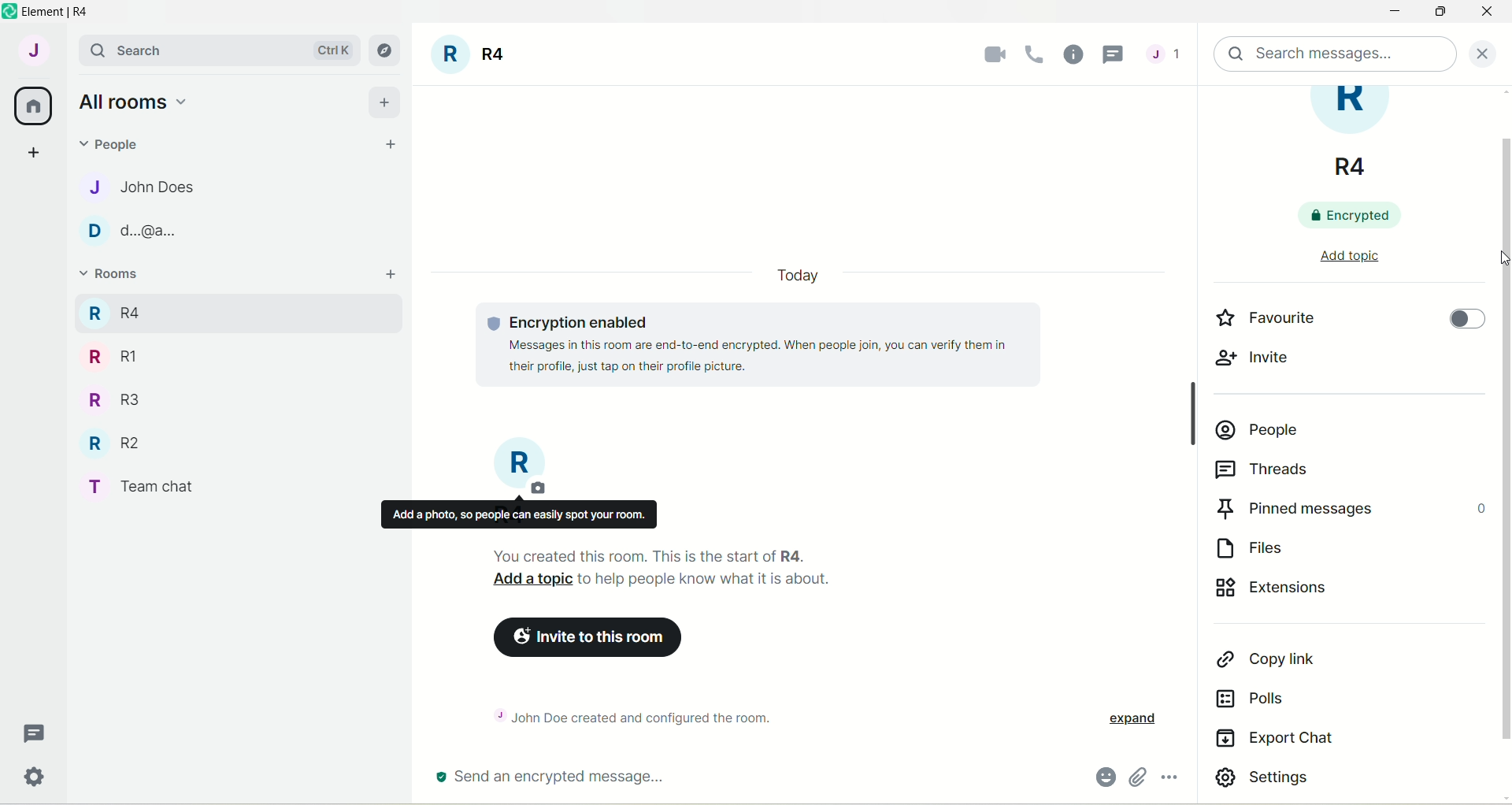 The width and height of the screenshot is (1512, 805). Describe the element at coordinates (127, 187) in the screenshot. I see `J John Does` at that location.